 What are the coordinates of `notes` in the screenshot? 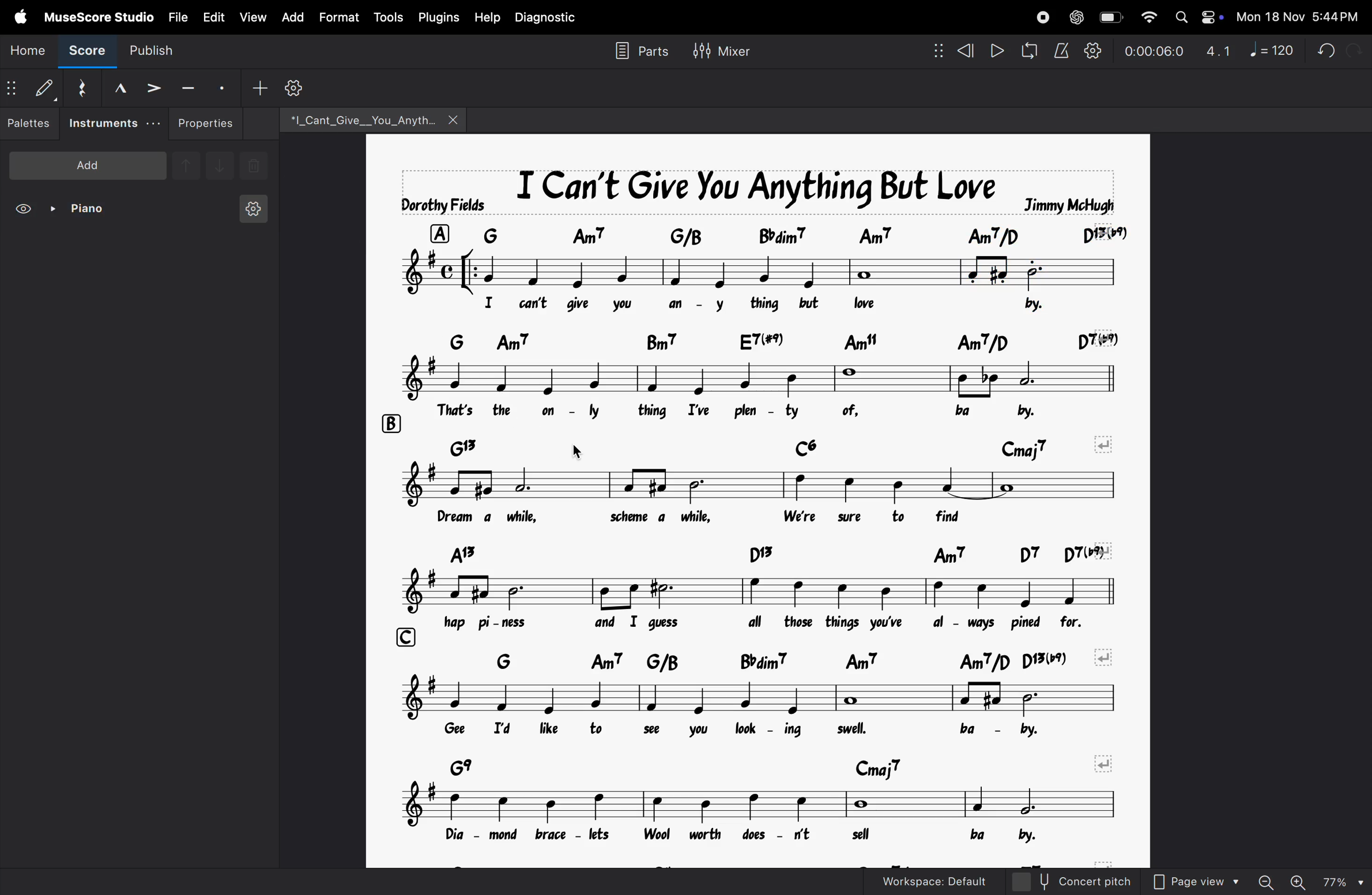 It's located at (767, 379).